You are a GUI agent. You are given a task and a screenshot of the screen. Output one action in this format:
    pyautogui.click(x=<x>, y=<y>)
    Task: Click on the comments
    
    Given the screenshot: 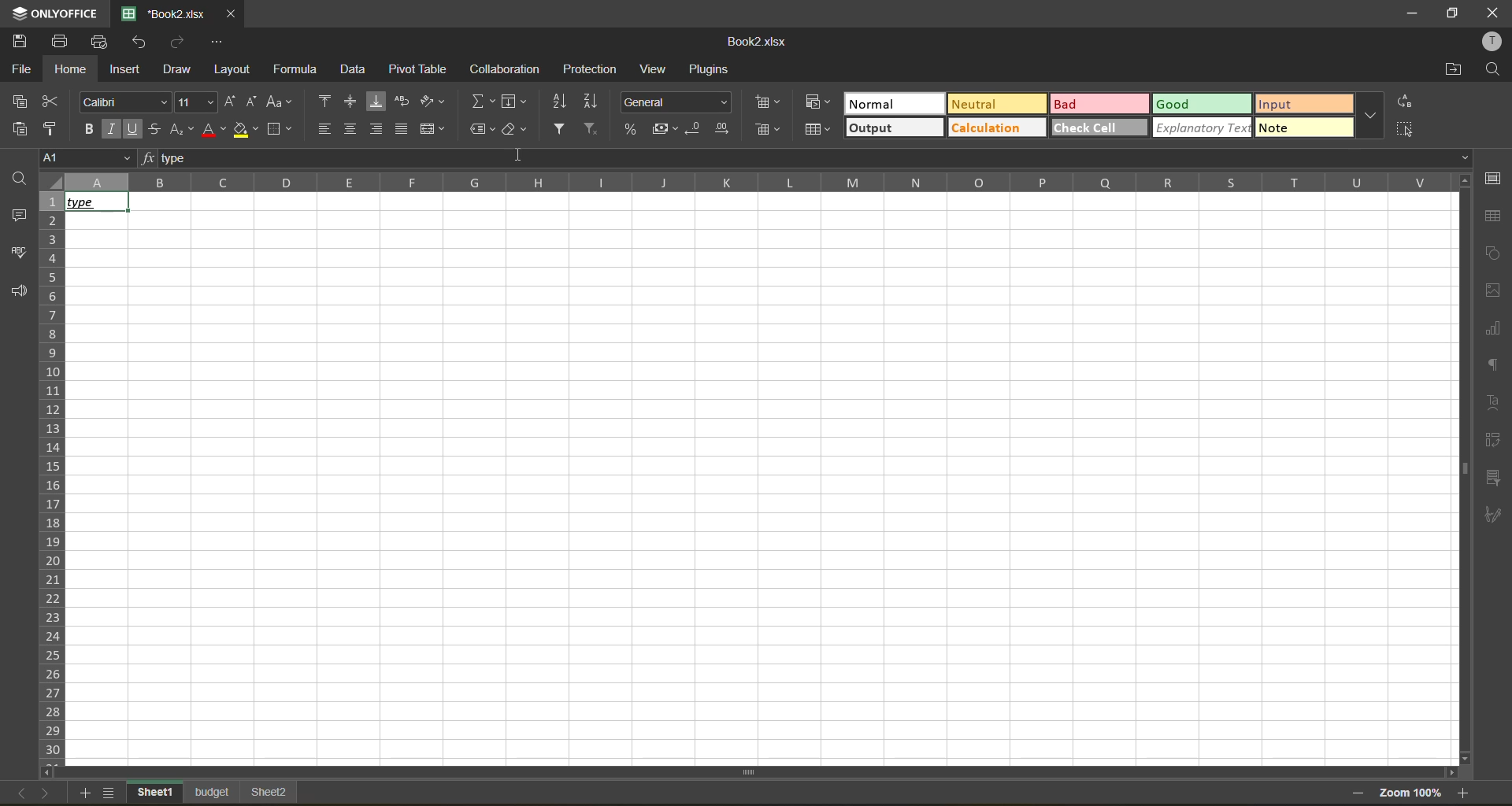 What is the action you would take?
    pyautogui.click(x=18, y=213)
    